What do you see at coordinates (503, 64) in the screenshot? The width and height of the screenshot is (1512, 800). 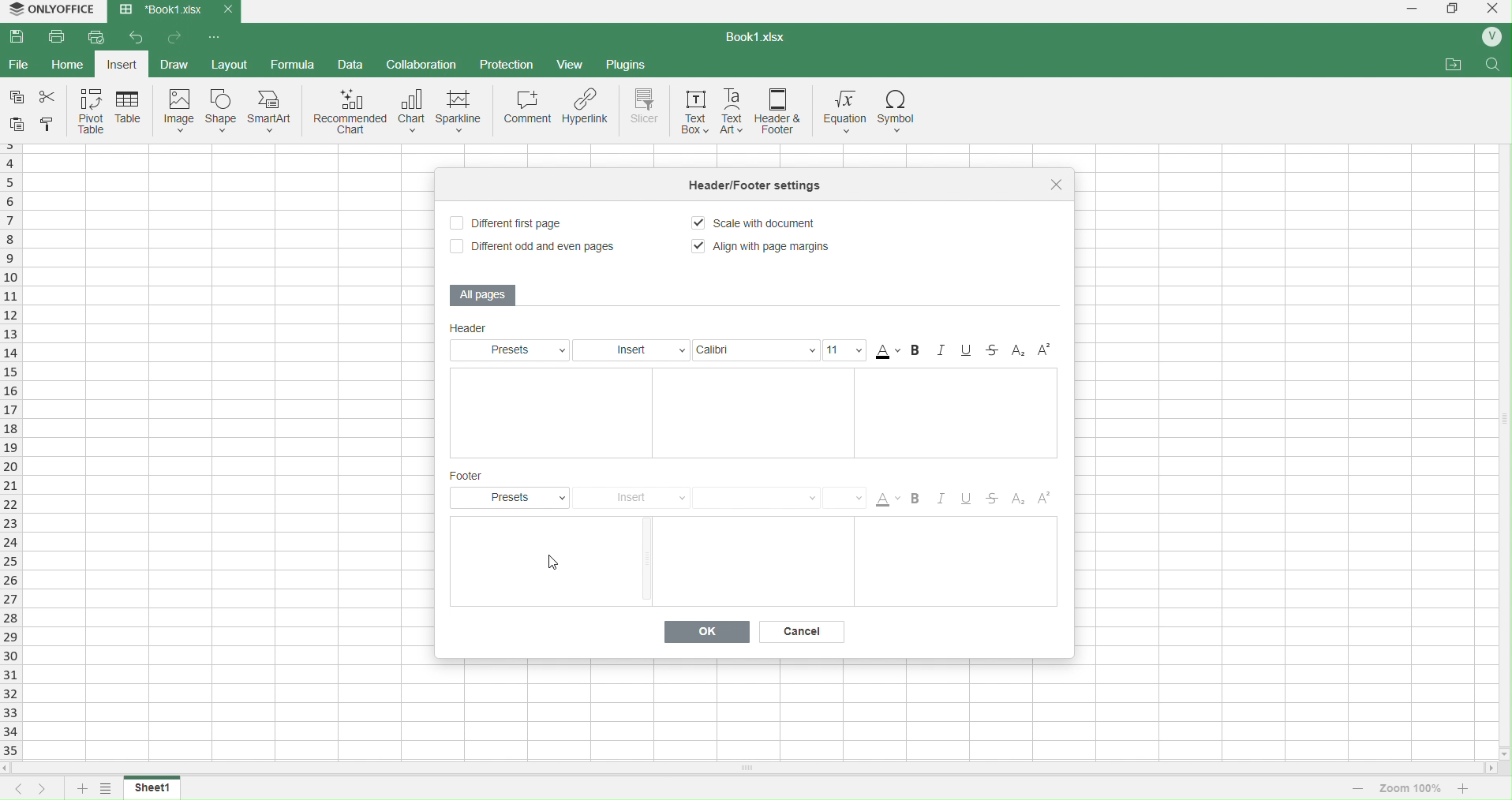 I see `protection` at bounding box center [503, 64].